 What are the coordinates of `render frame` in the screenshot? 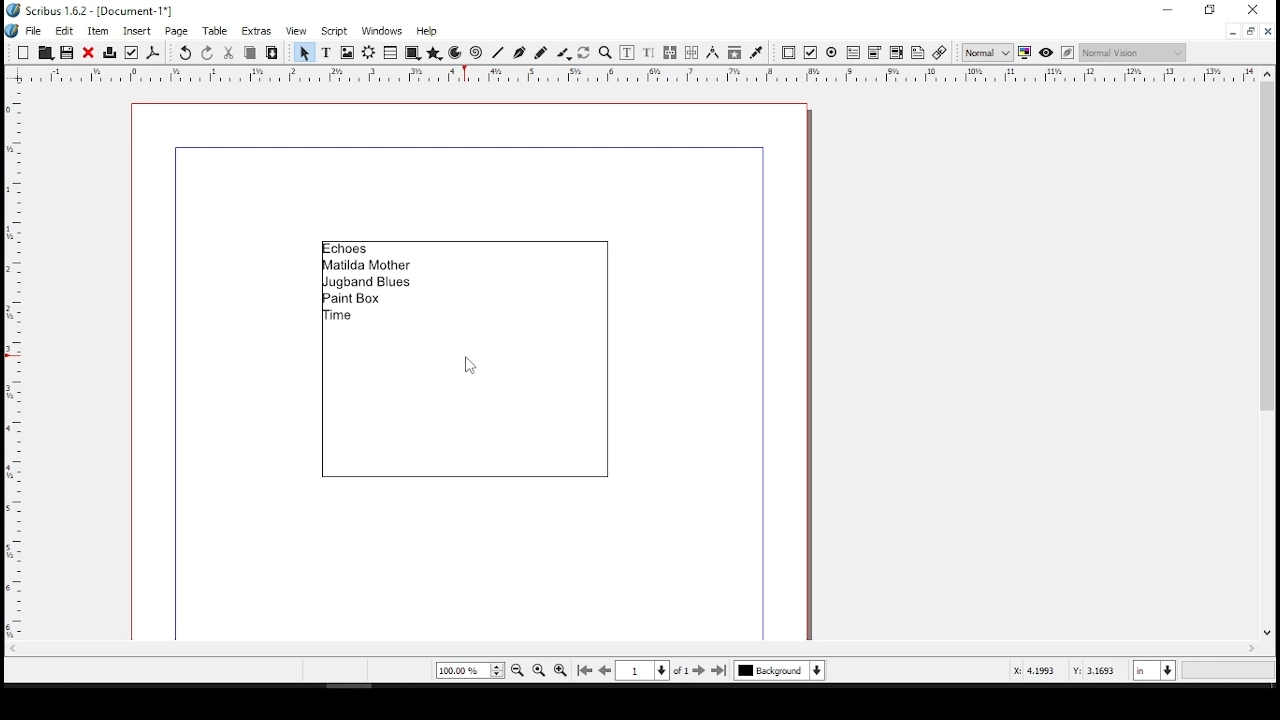 It's located at (369, 53).